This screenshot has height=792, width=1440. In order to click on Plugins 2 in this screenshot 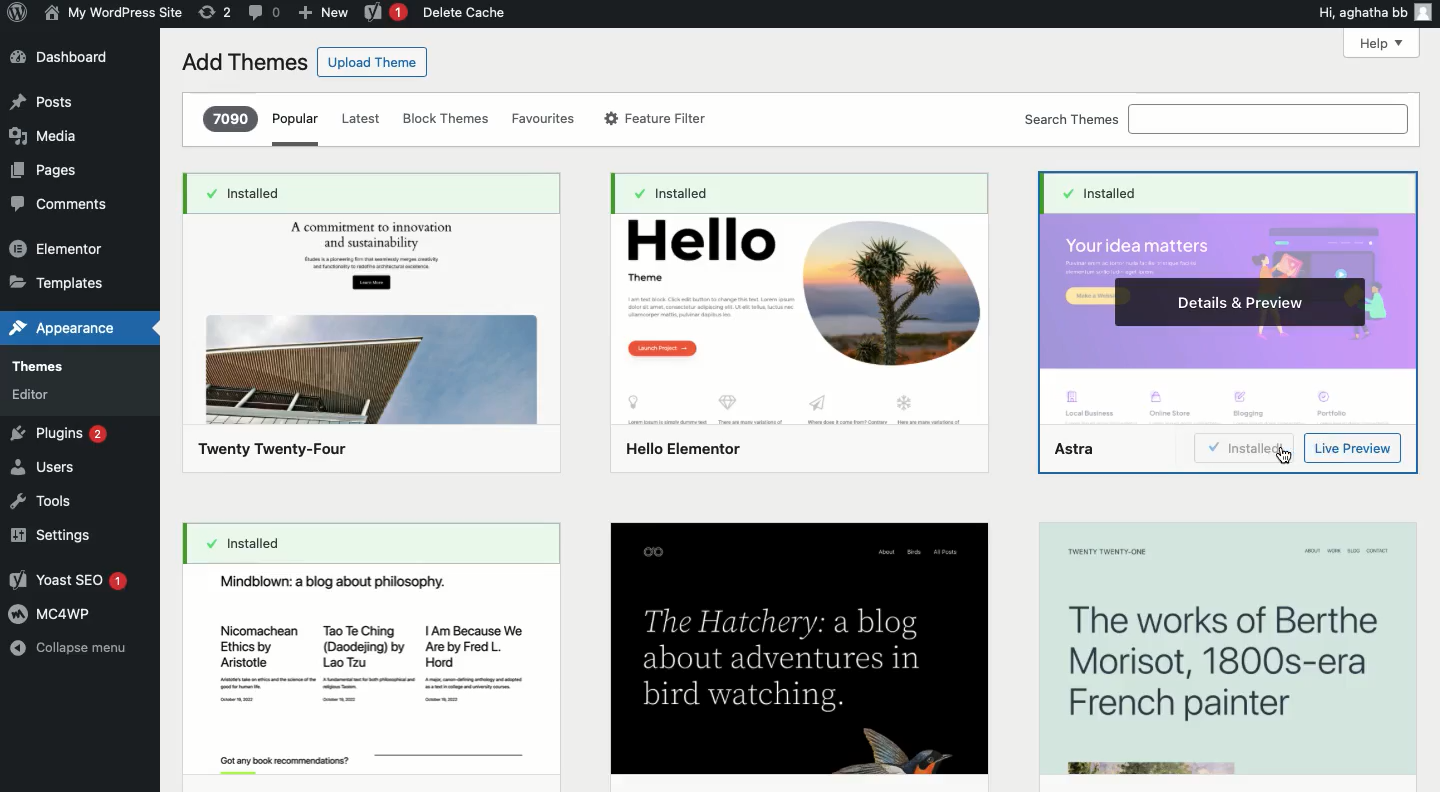, I will do `click(62, 436)`.